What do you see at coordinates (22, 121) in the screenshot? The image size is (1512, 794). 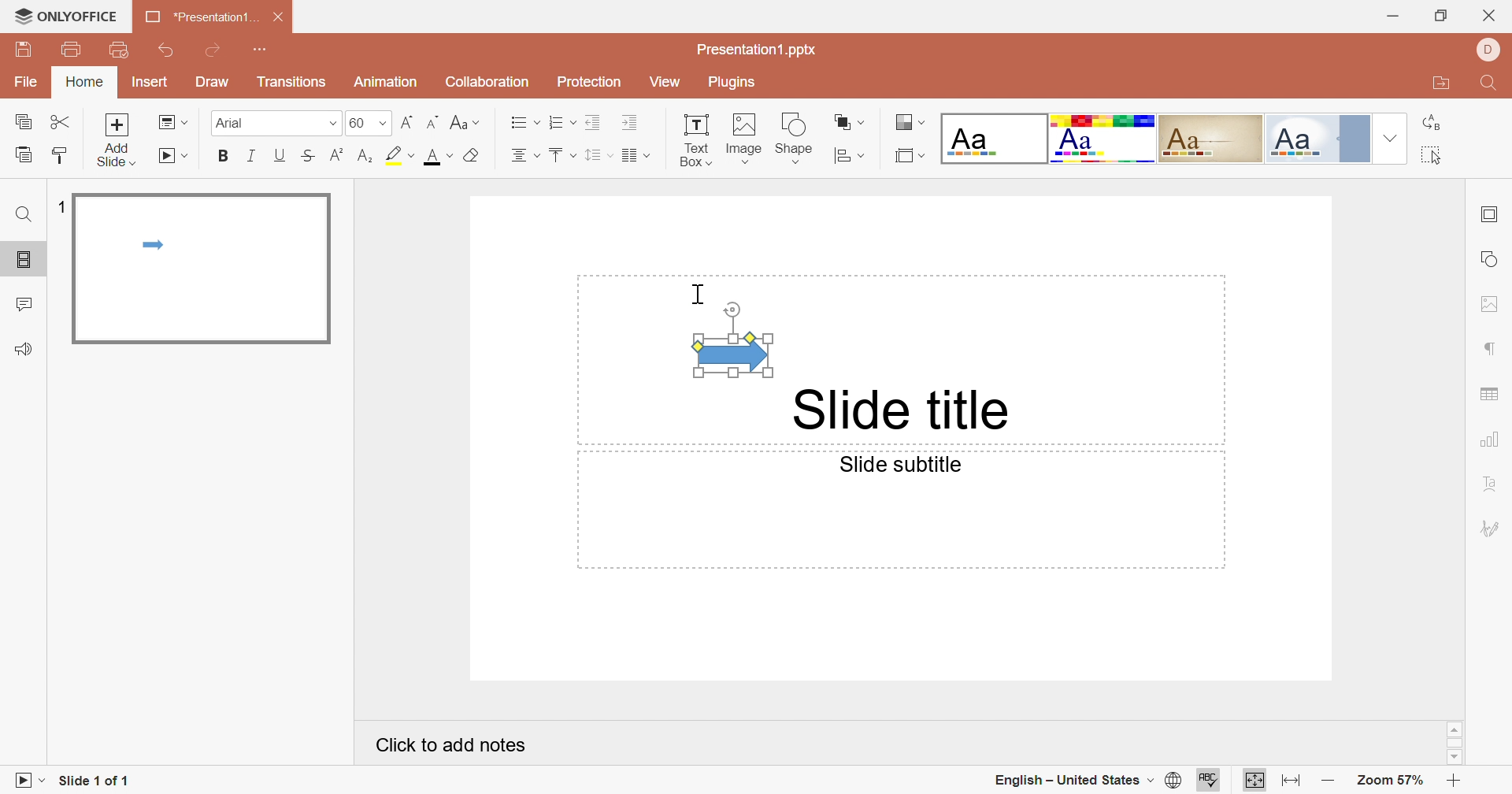 I see `Copy` at bounding box center [22, 121].